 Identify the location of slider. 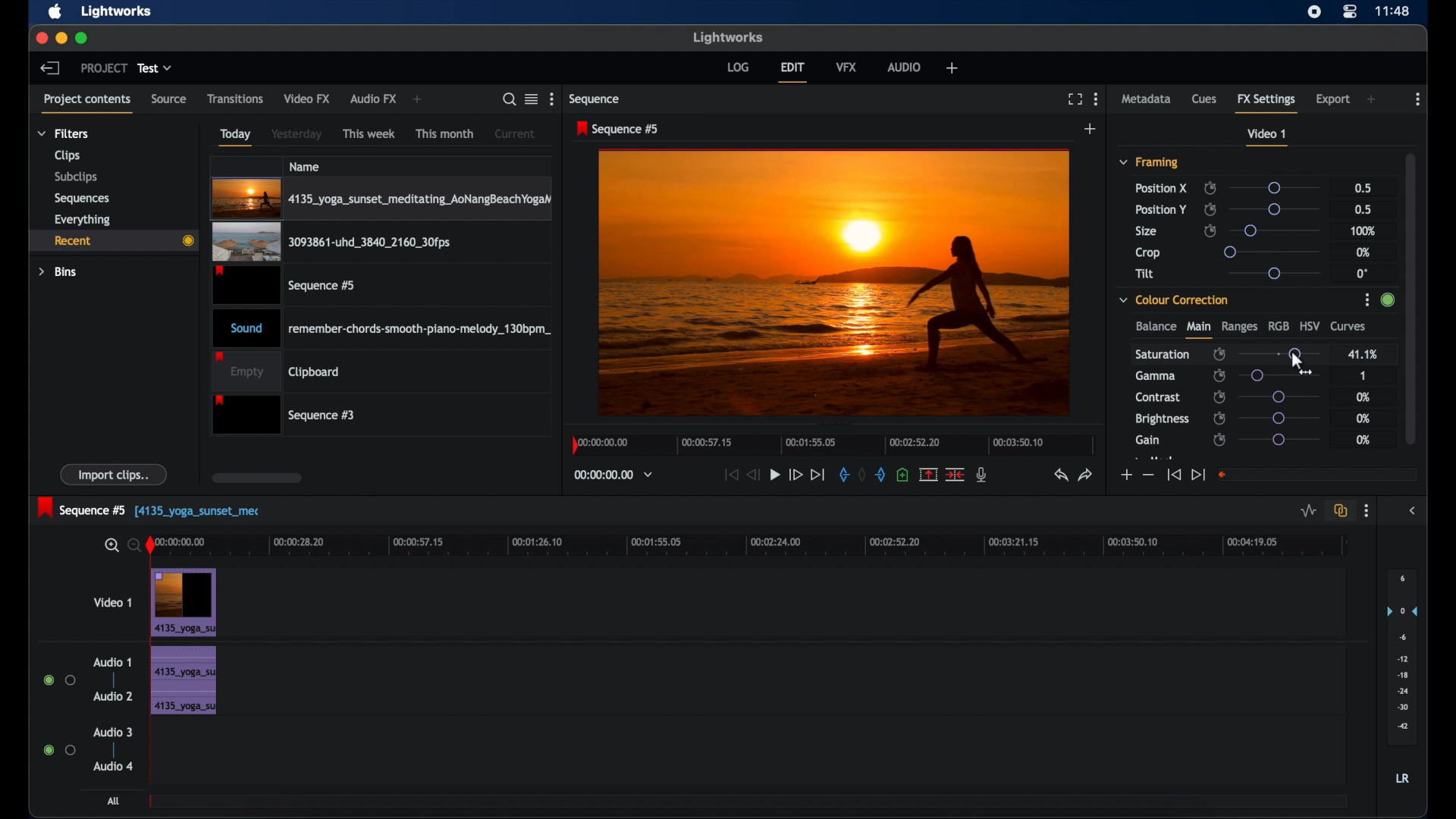
(1279, 353).